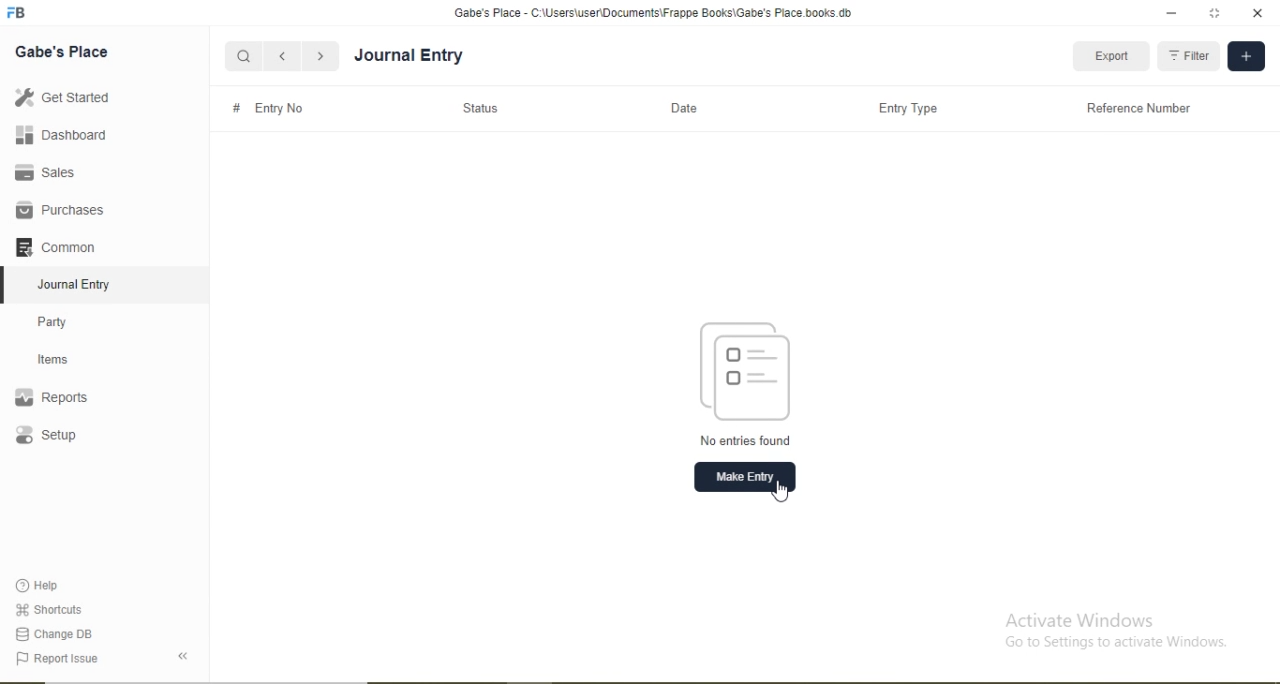 This screenshot has height=684, width=1280. I want to click on Party, so click(66, 320).